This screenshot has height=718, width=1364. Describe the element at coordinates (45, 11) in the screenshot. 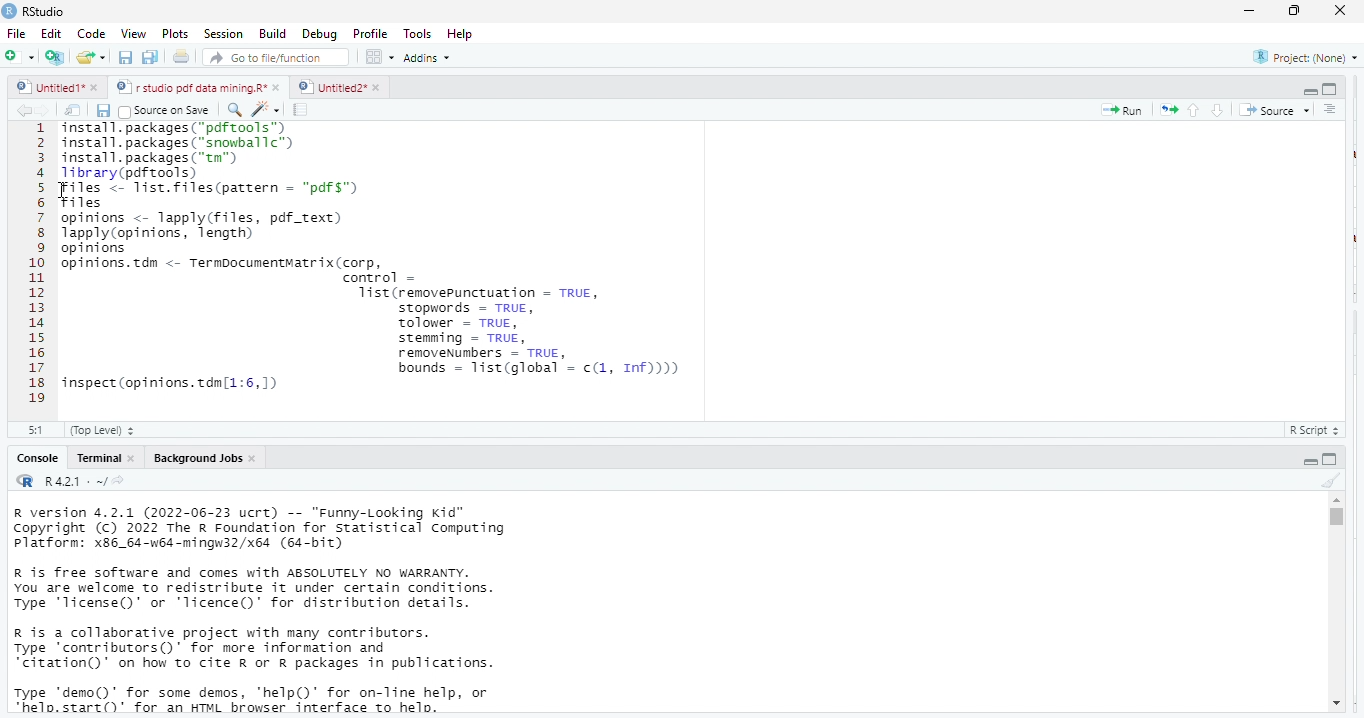

I see `rs studio` at that location.